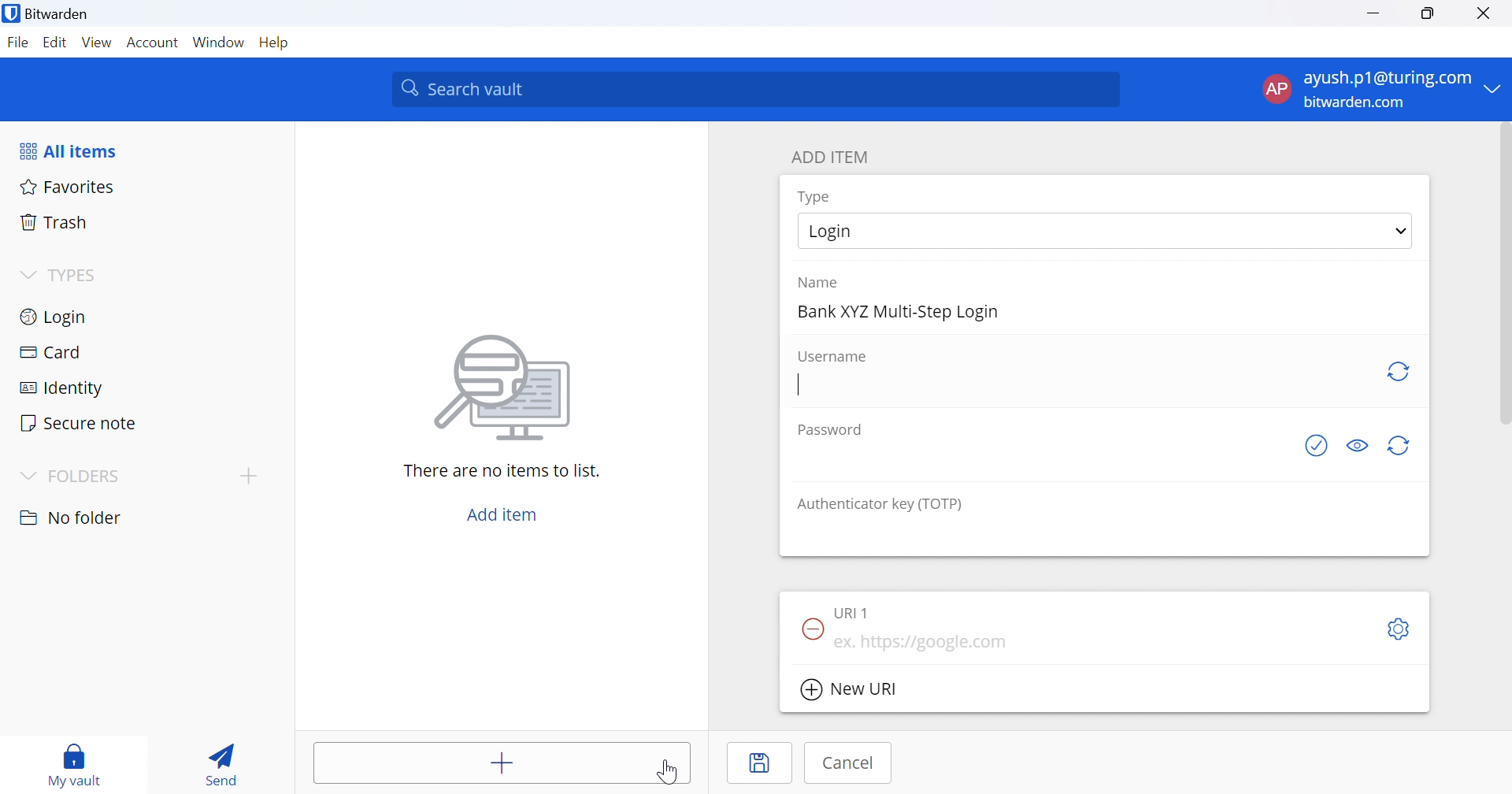  What do you see at coordinates (27, 273) in the screenshot?
I see `Drop Down` at bounding box center [27, 273].